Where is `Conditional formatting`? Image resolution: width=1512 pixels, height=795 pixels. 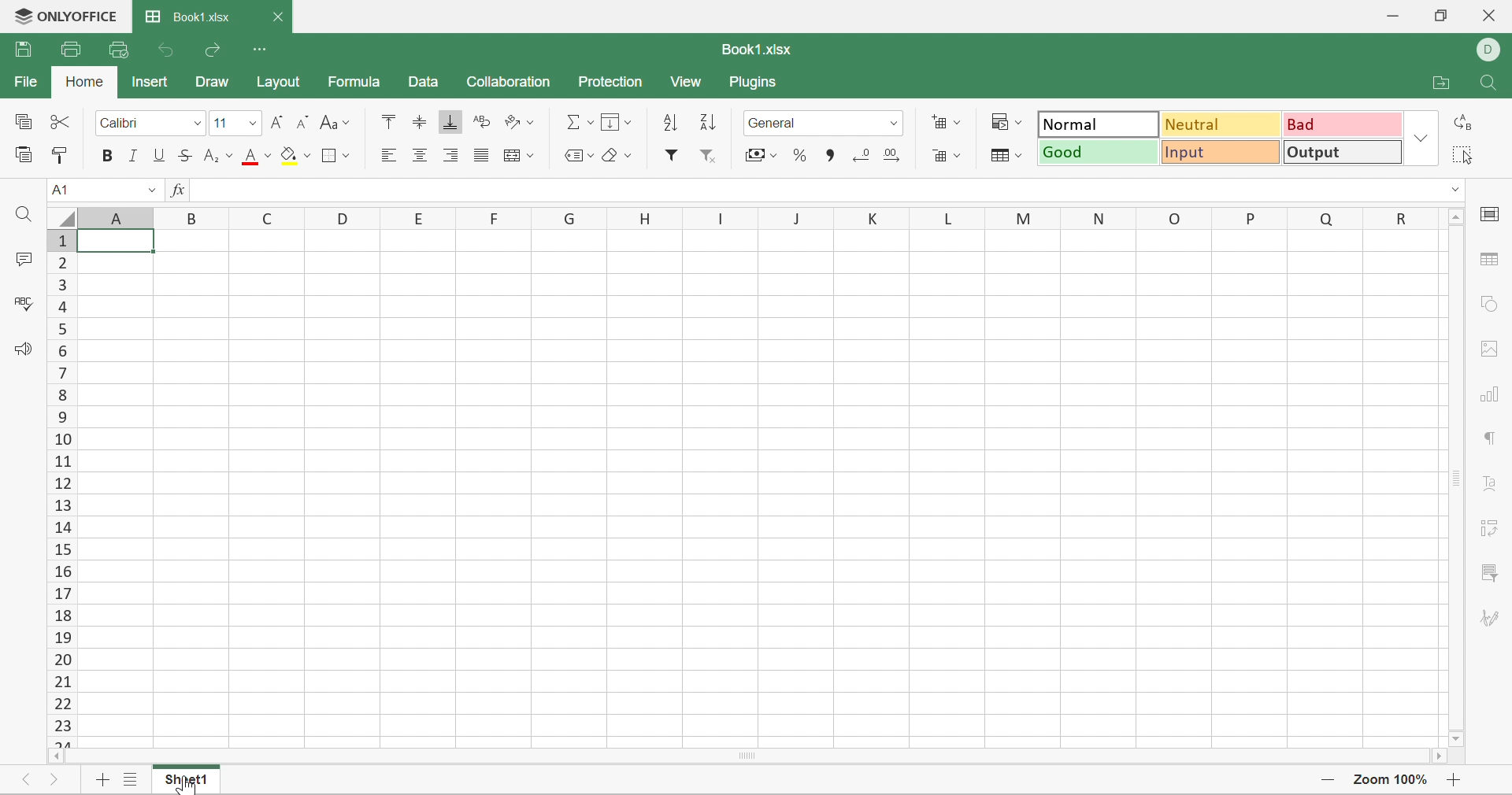
Conditional formatting is located at coordinates (1006, 122).